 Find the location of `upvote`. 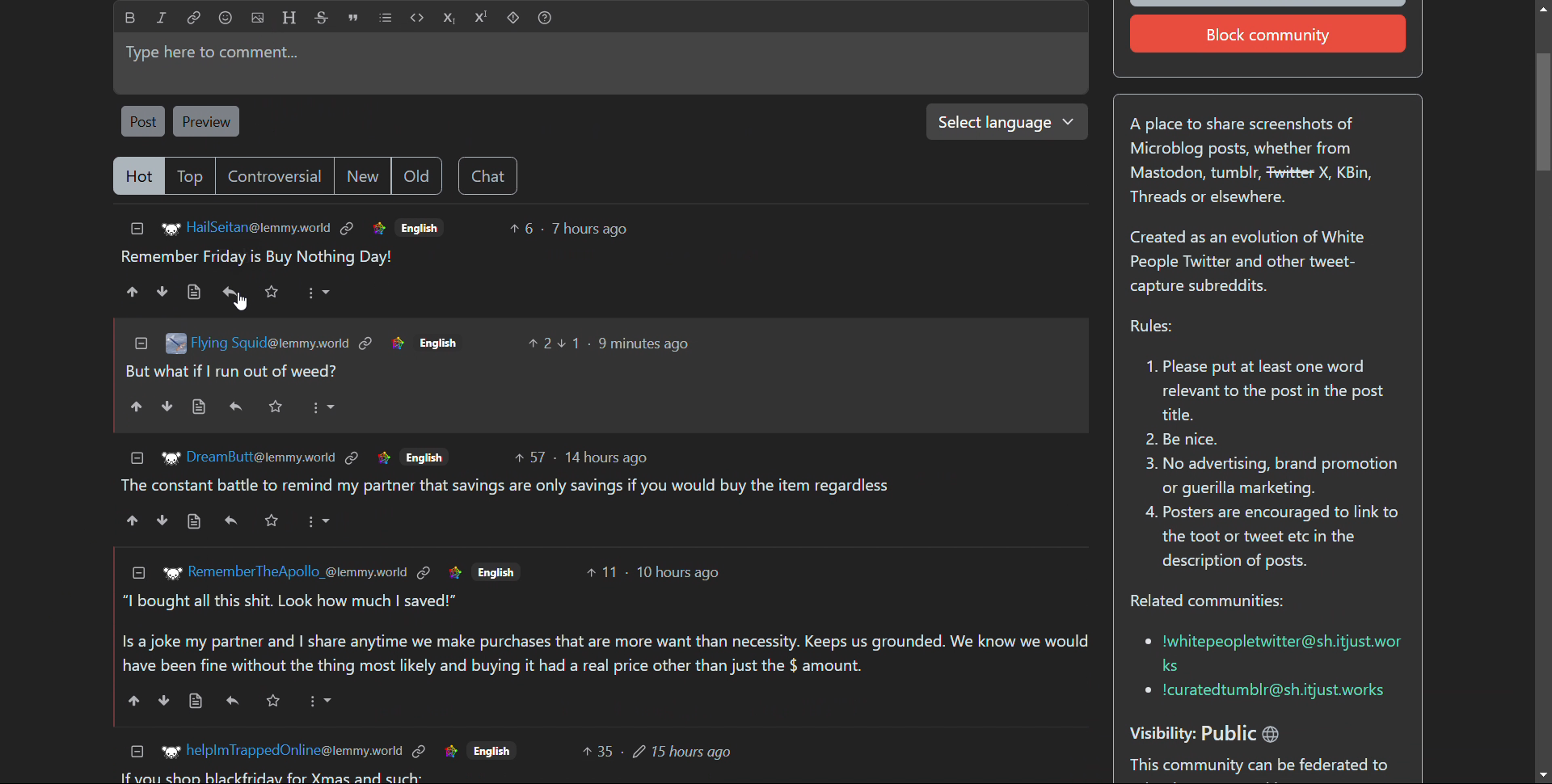

upvote is located at coordinates (133, 293).